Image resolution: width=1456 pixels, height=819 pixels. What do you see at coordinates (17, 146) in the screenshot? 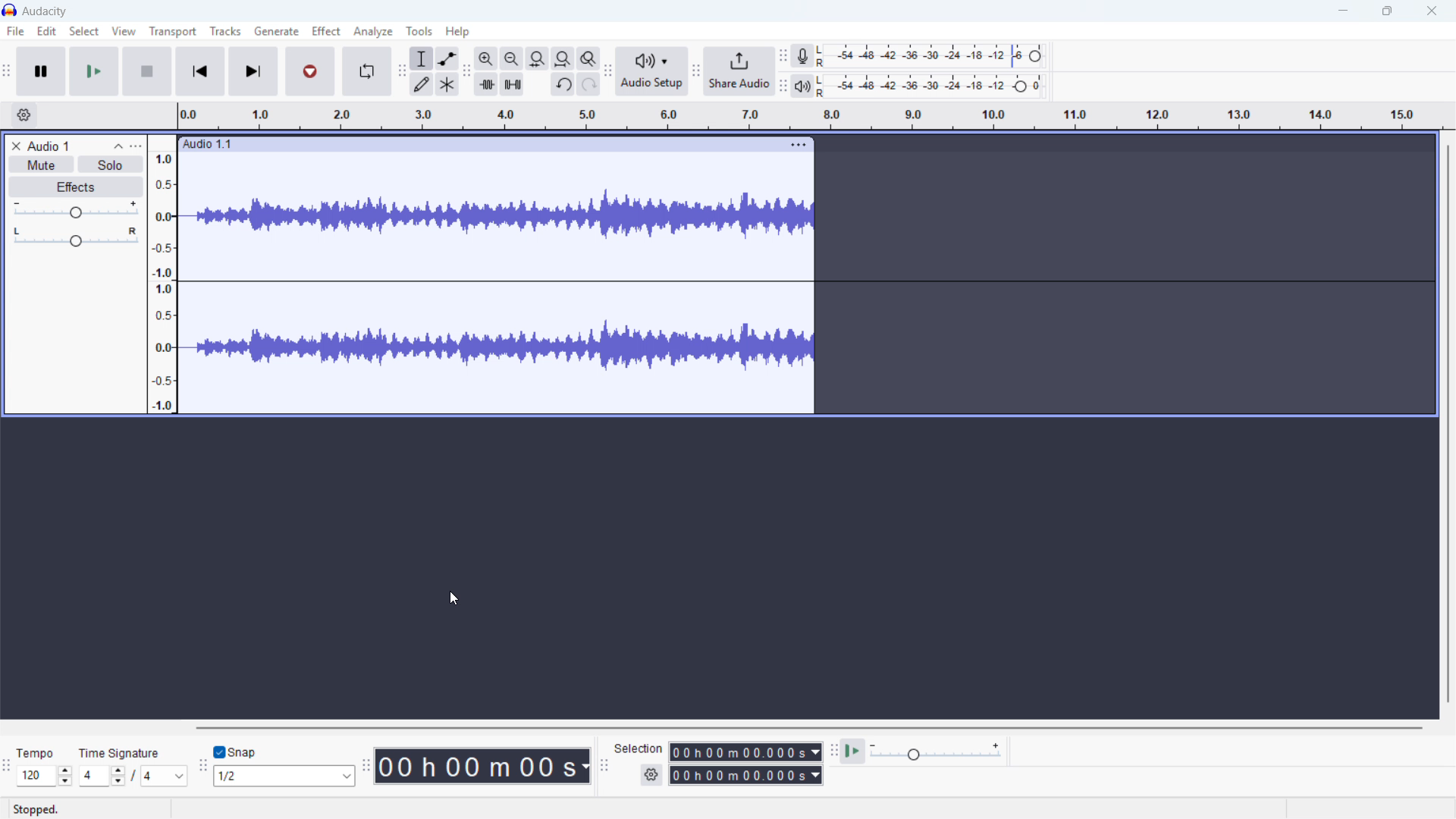
I see `Remove track ` at bounding box center [17, 146].